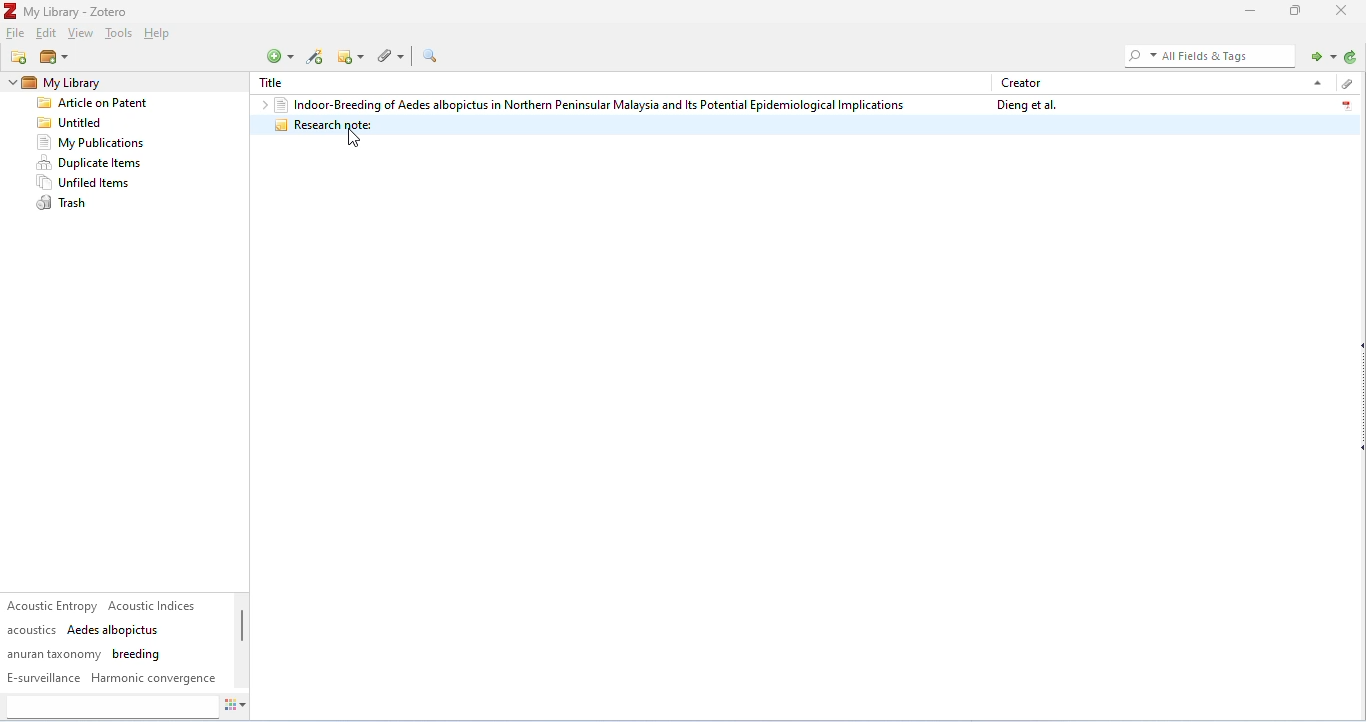 This screenshot has height=722, width=1366. Describe the element at coordinates (90, 143) in the screenshot. I see `my publication` at that location.